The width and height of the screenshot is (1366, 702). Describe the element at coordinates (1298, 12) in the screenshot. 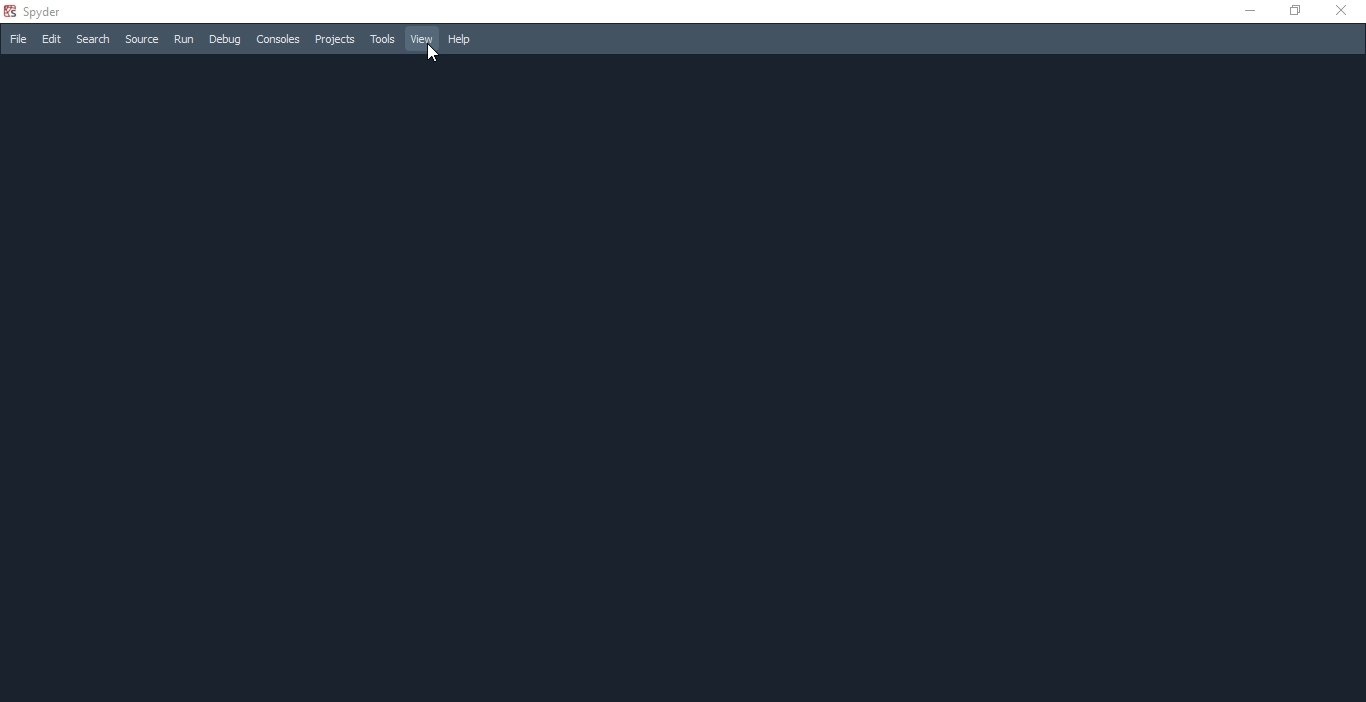

I see `restore` at that location.